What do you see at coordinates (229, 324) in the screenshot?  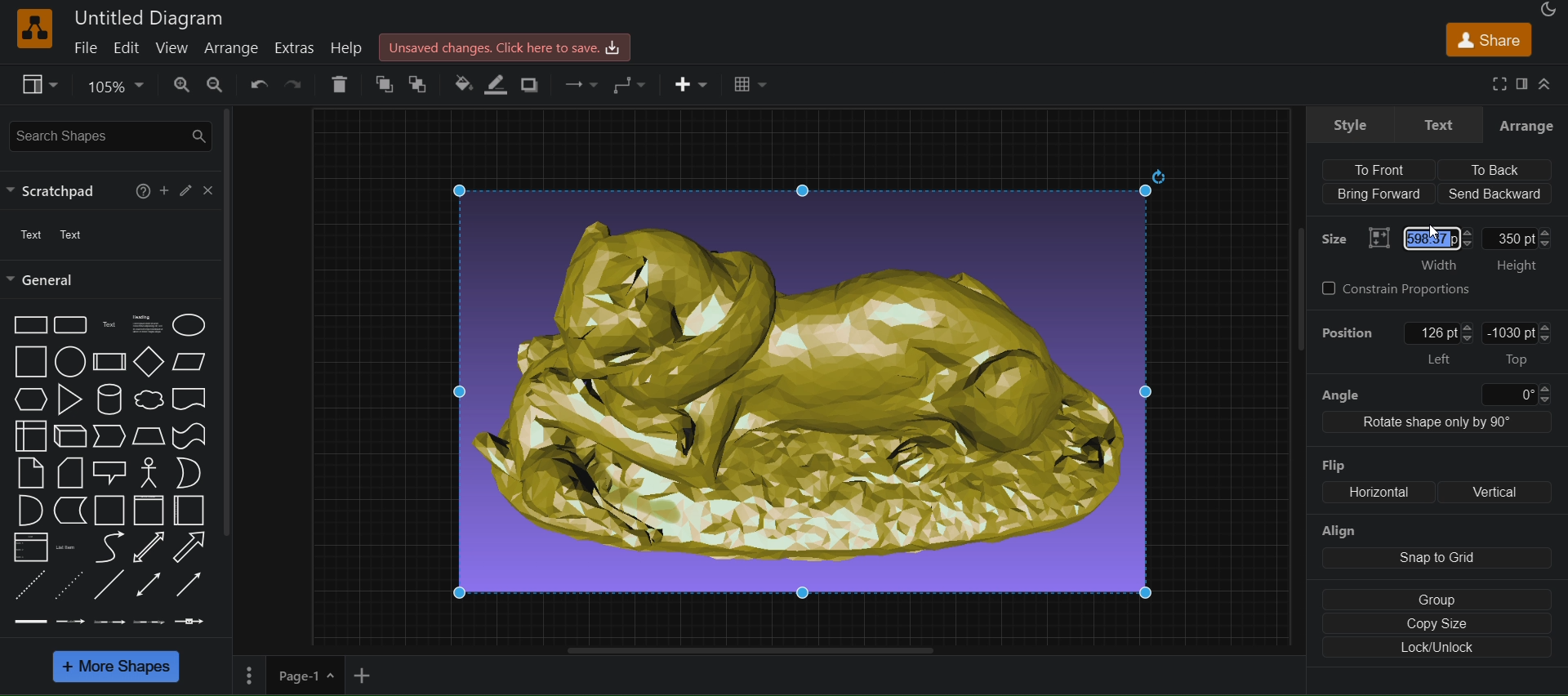 I see `scrollbar` at bounding box center [229, 324].